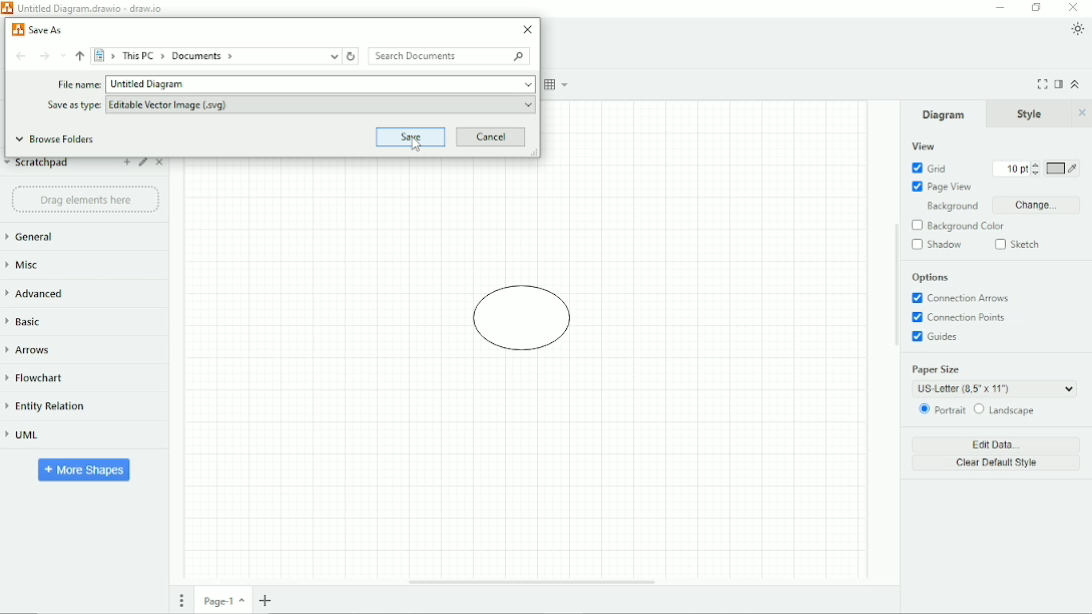  I want to click on Forward, so click(44, 57).